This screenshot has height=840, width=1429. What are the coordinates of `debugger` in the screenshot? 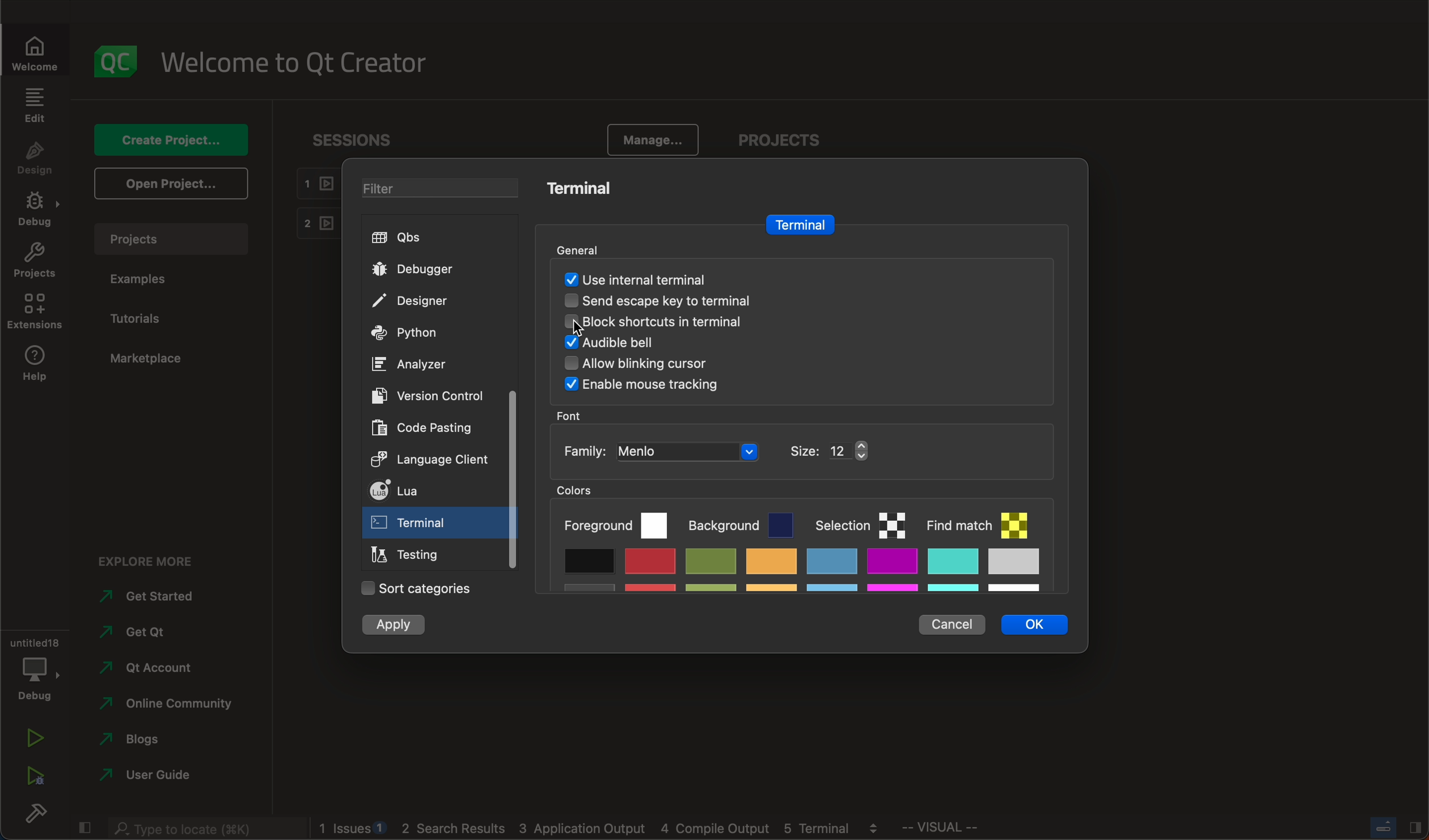 It's located at (424, 269).